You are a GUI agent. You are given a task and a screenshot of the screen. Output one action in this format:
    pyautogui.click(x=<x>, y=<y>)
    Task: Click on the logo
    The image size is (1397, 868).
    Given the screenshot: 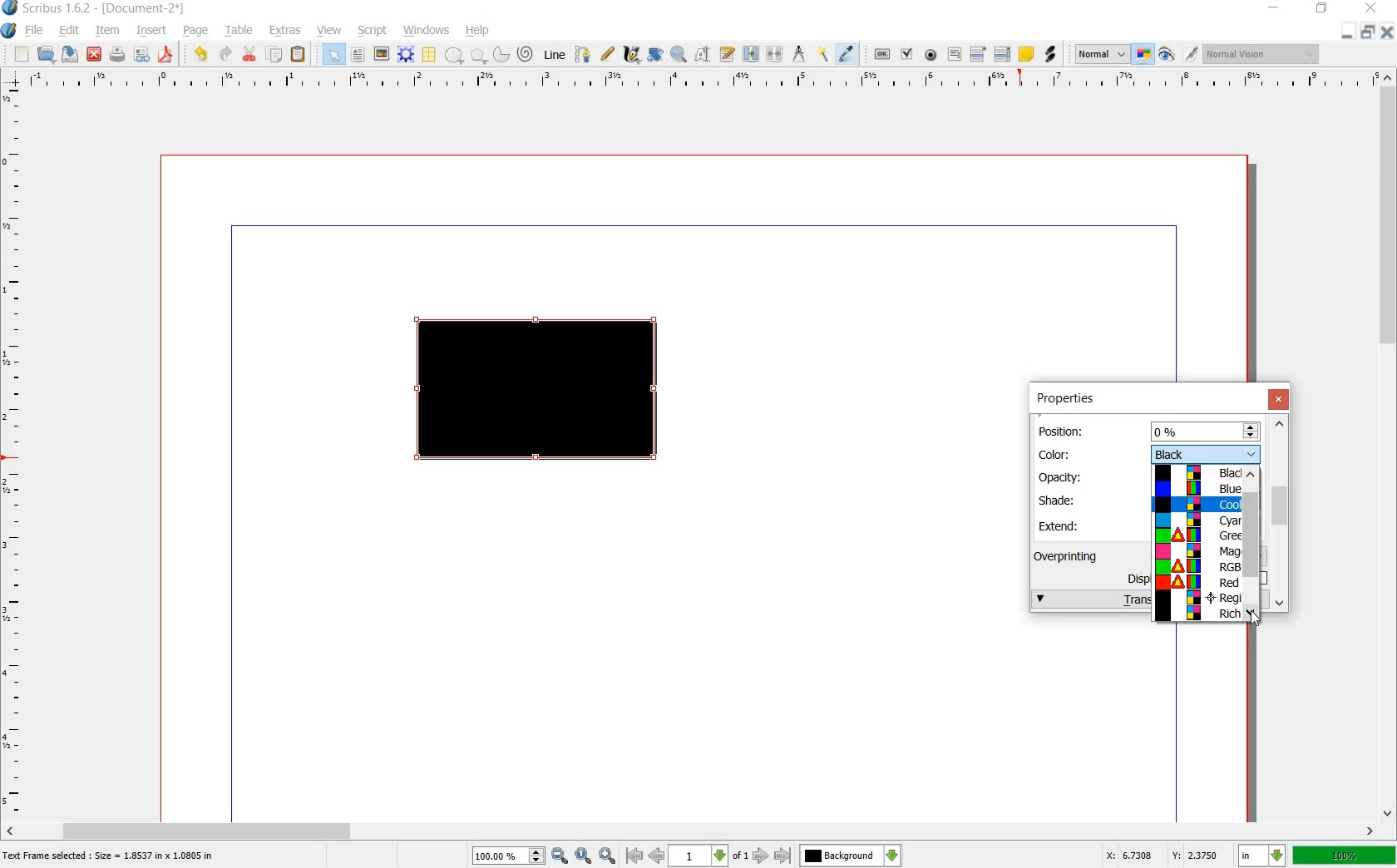 What is the action you would take?
    pyautogui.click(x=11, y=9)
    